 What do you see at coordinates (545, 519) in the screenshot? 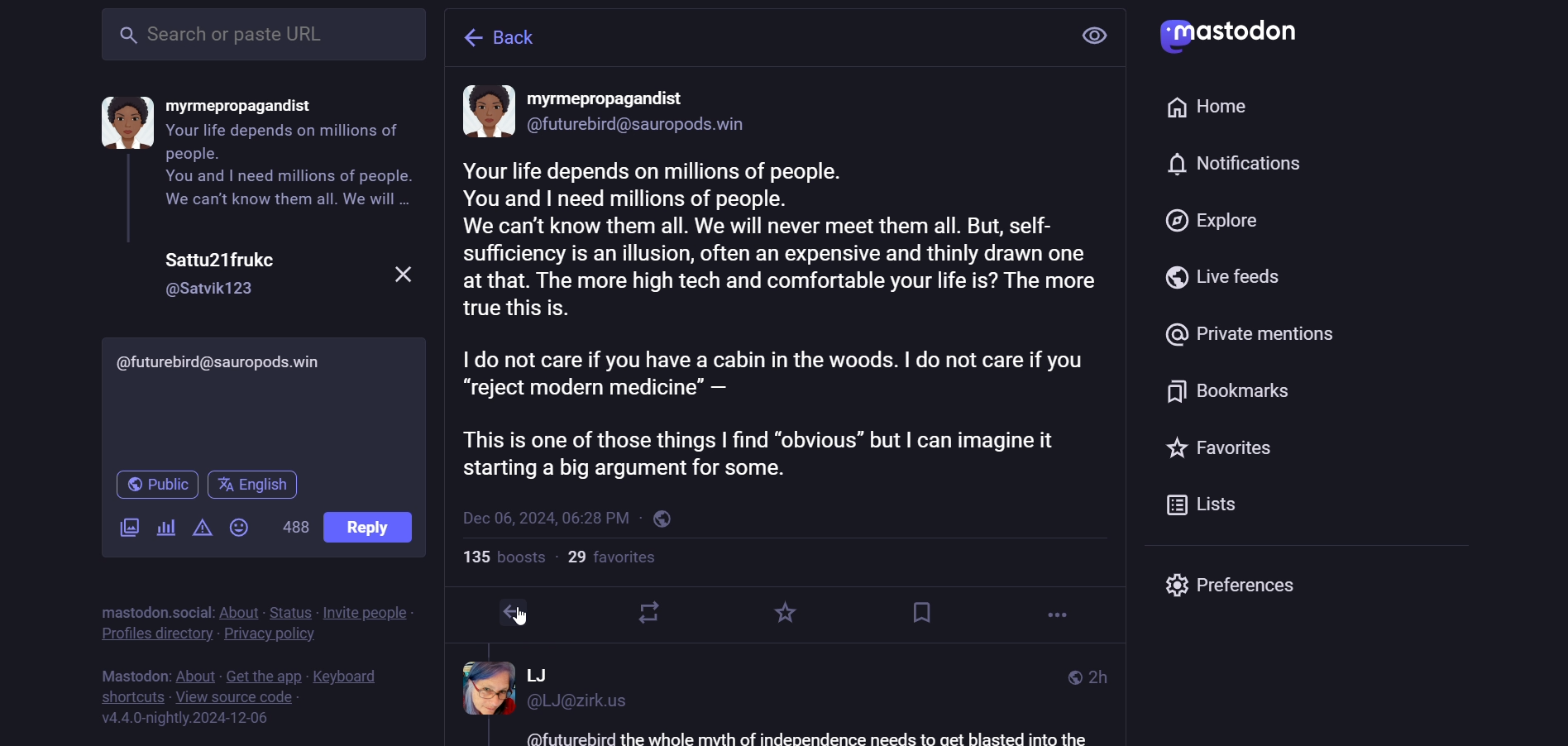
I see `last modified` at bounding box center [545, 519].